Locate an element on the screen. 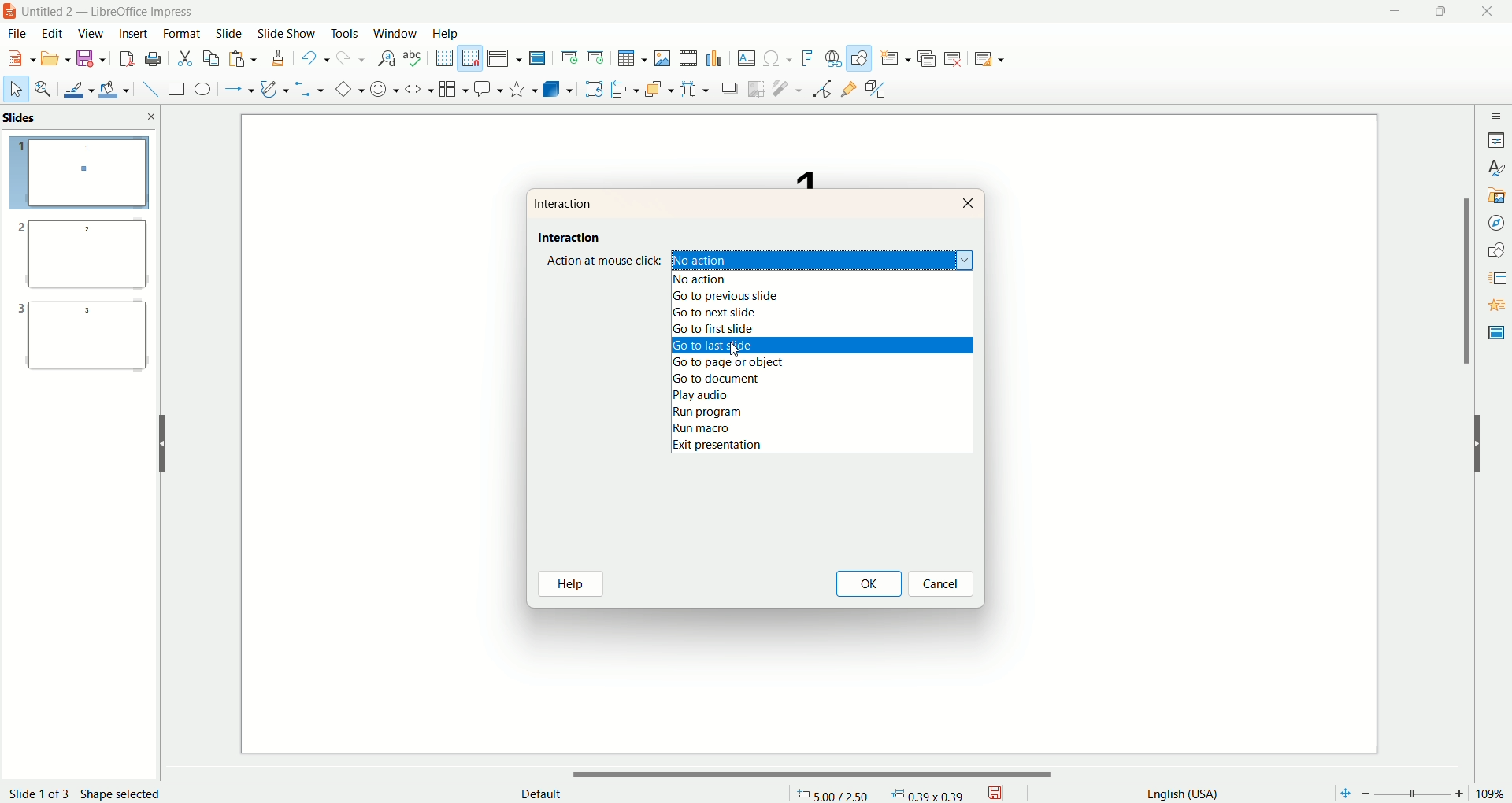  show grid is located at coordinates (443, 57).